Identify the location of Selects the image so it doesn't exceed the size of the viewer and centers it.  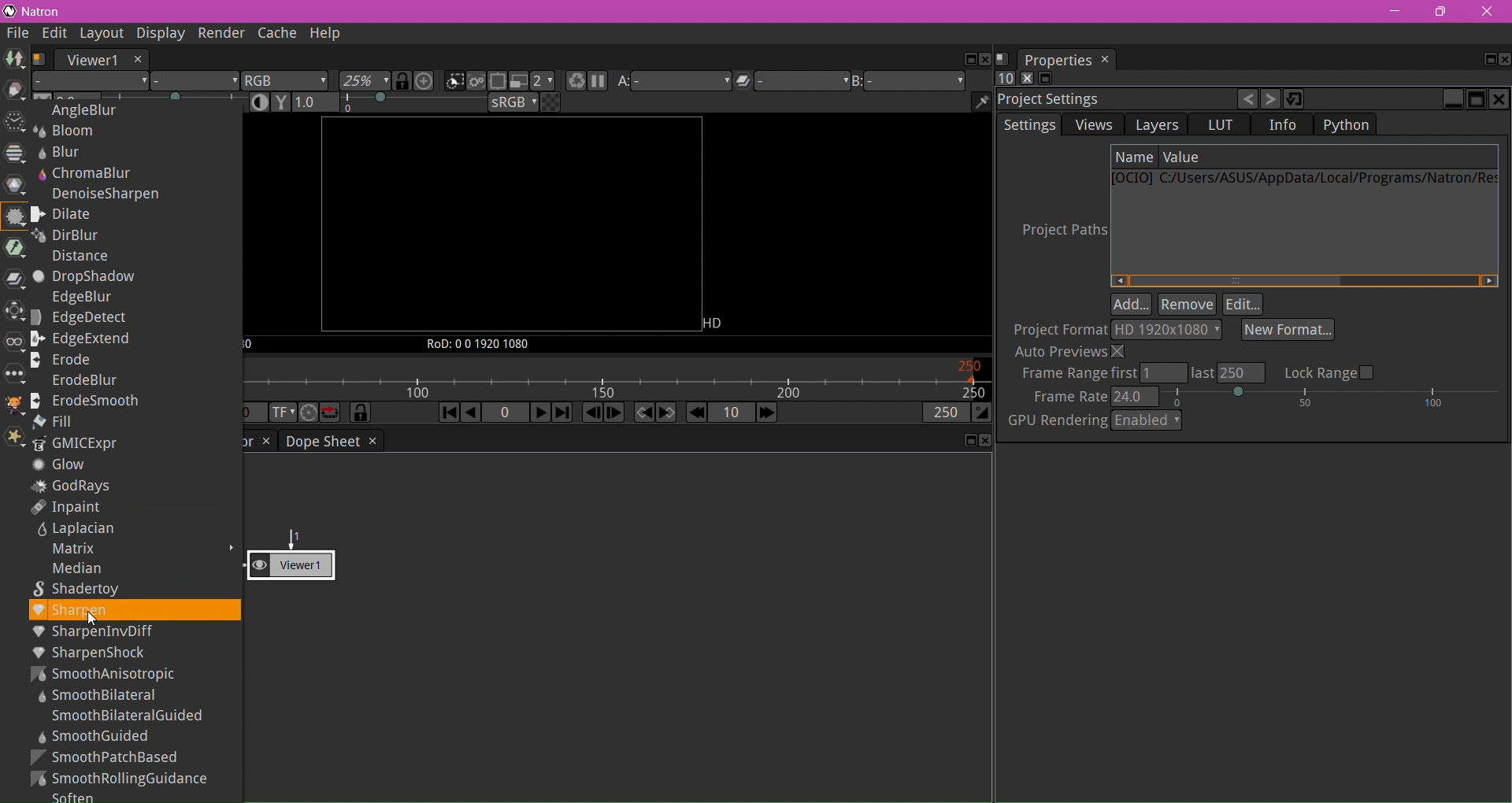
(426, 81).